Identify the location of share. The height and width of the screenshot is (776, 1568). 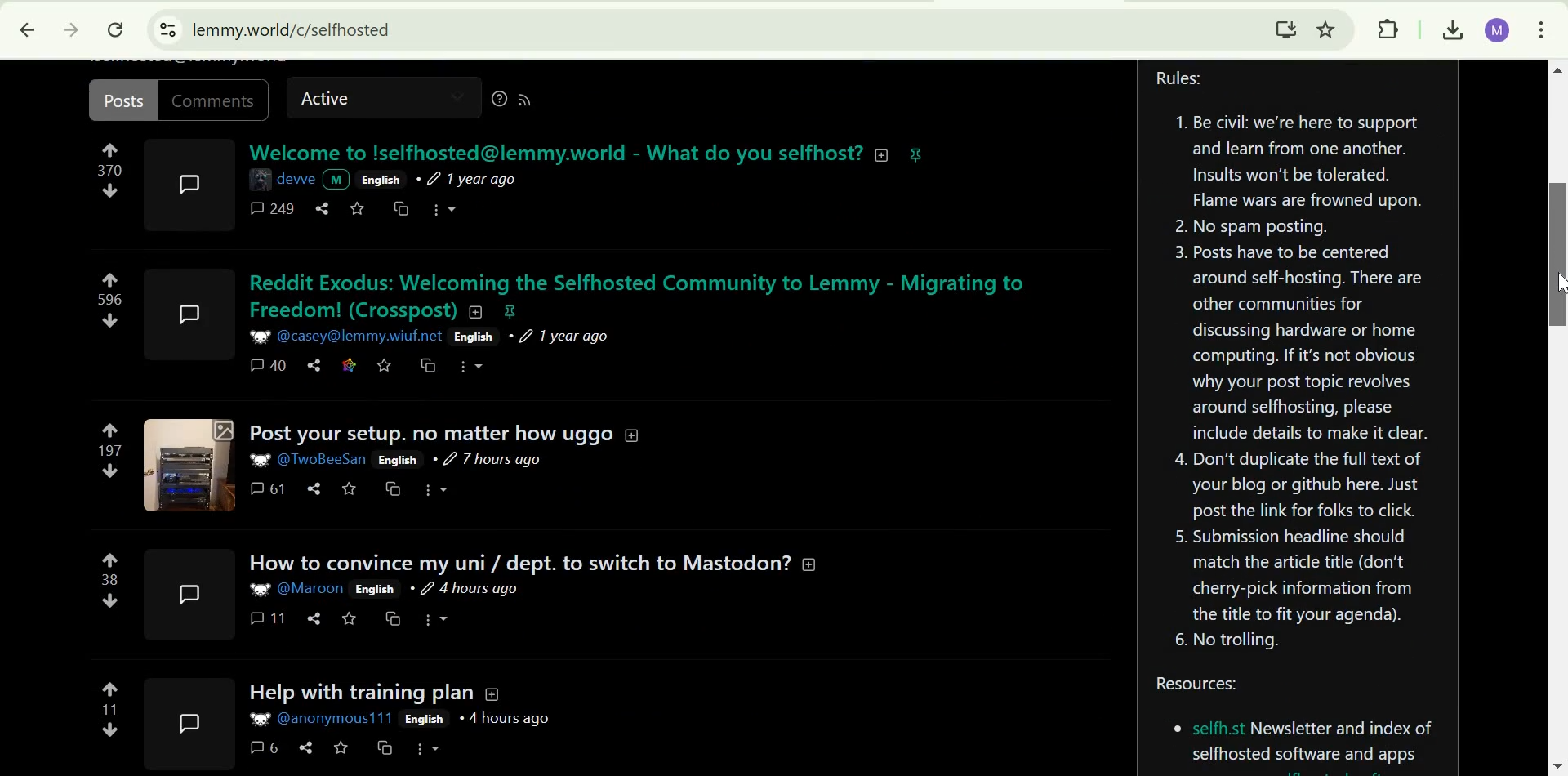
(323, 208).